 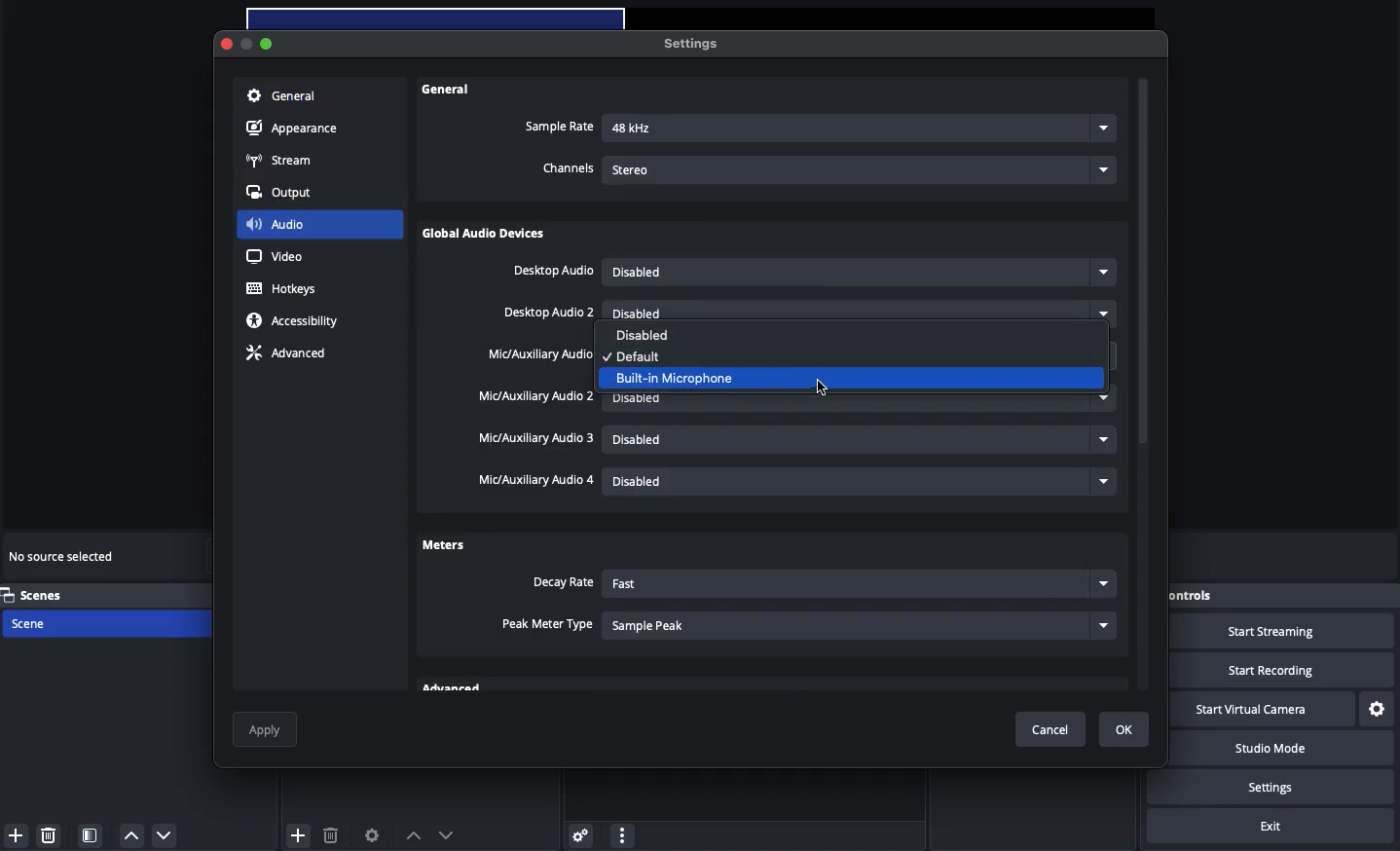 I want to click on Disabled, so click(x=860, y=442).